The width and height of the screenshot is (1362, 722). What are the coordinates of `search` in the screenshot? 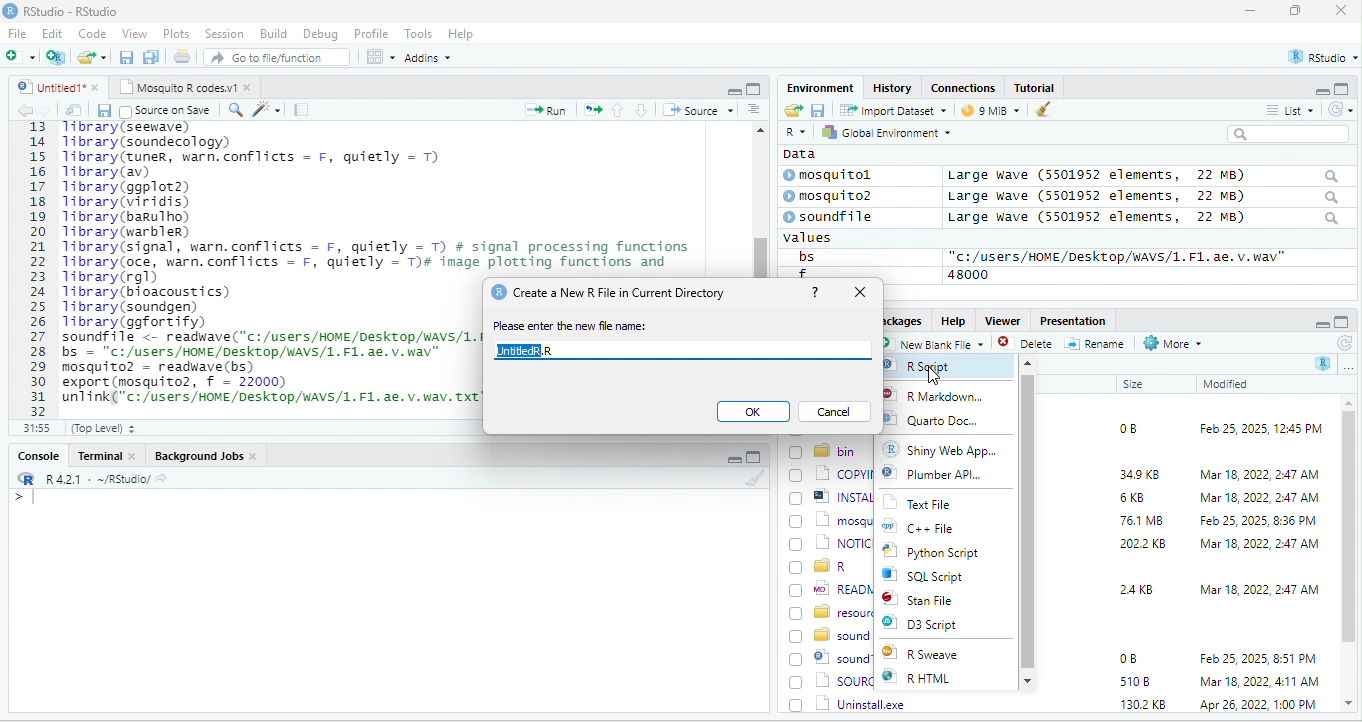 It's located at (1295, 134).